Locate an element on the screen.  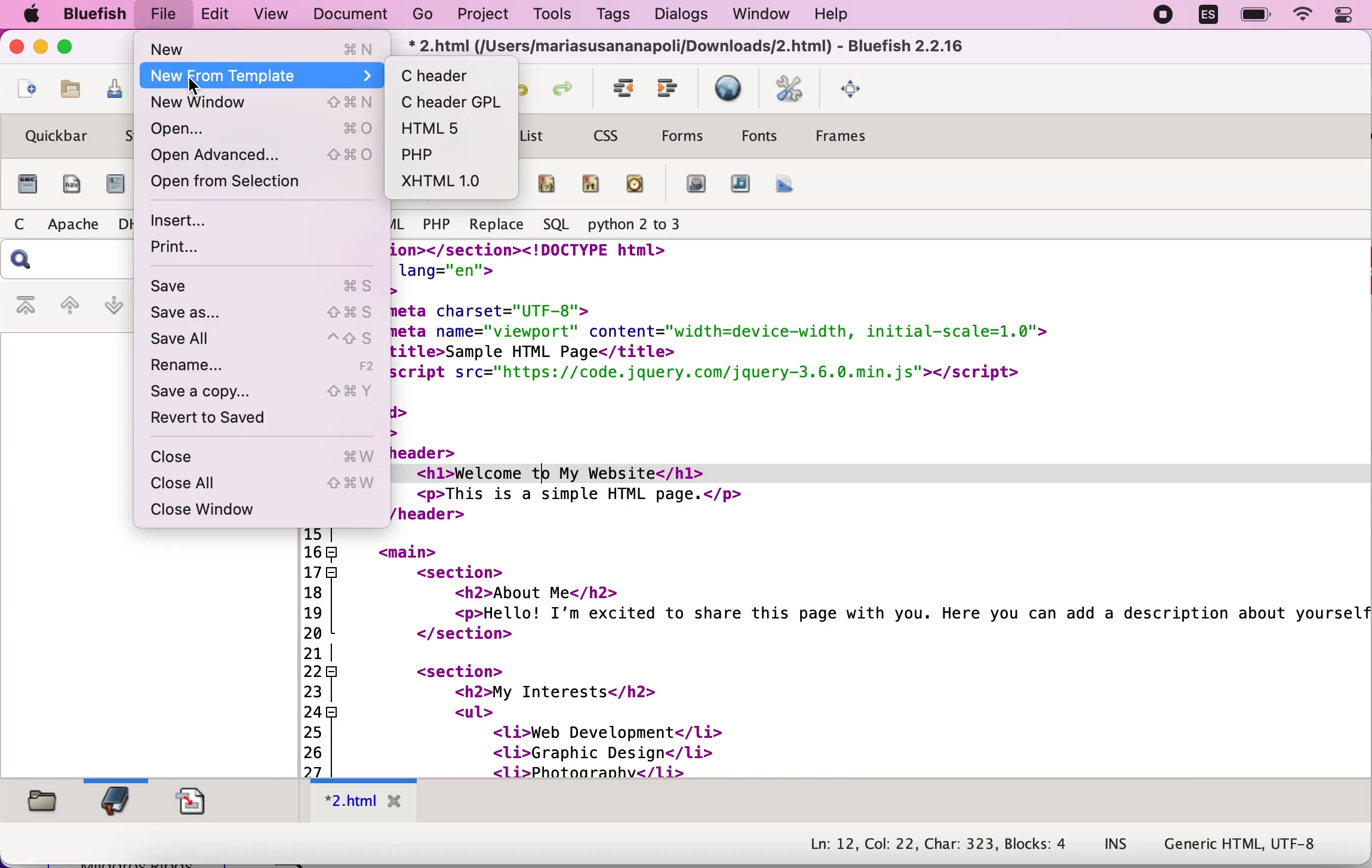
C is located at coordinates (20, 223).